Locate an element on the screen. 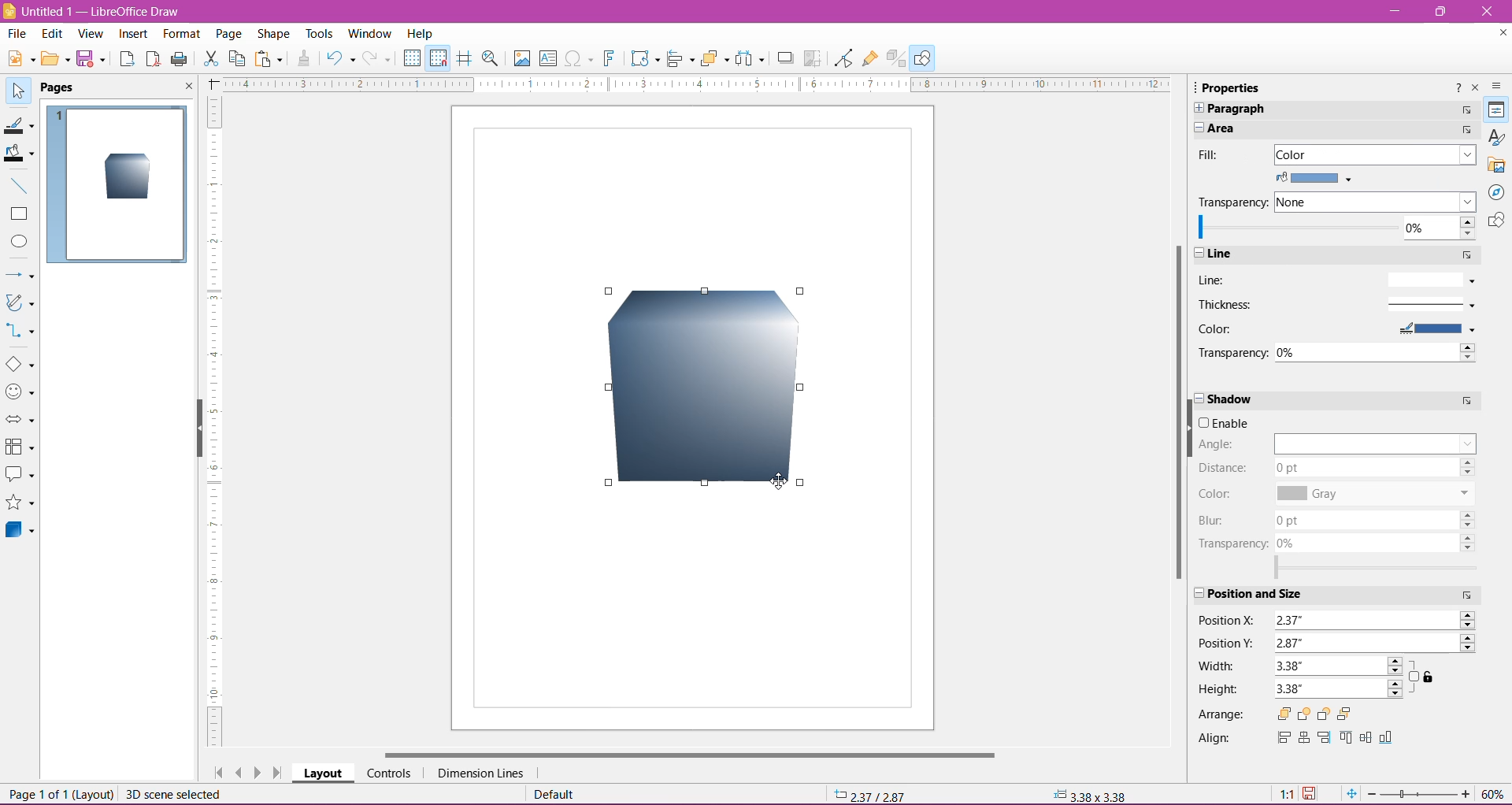 Image resolution: width=1512 pixels, height=805 pixels. Enable/Disable Shadow is located at coordinates (1229, 423).